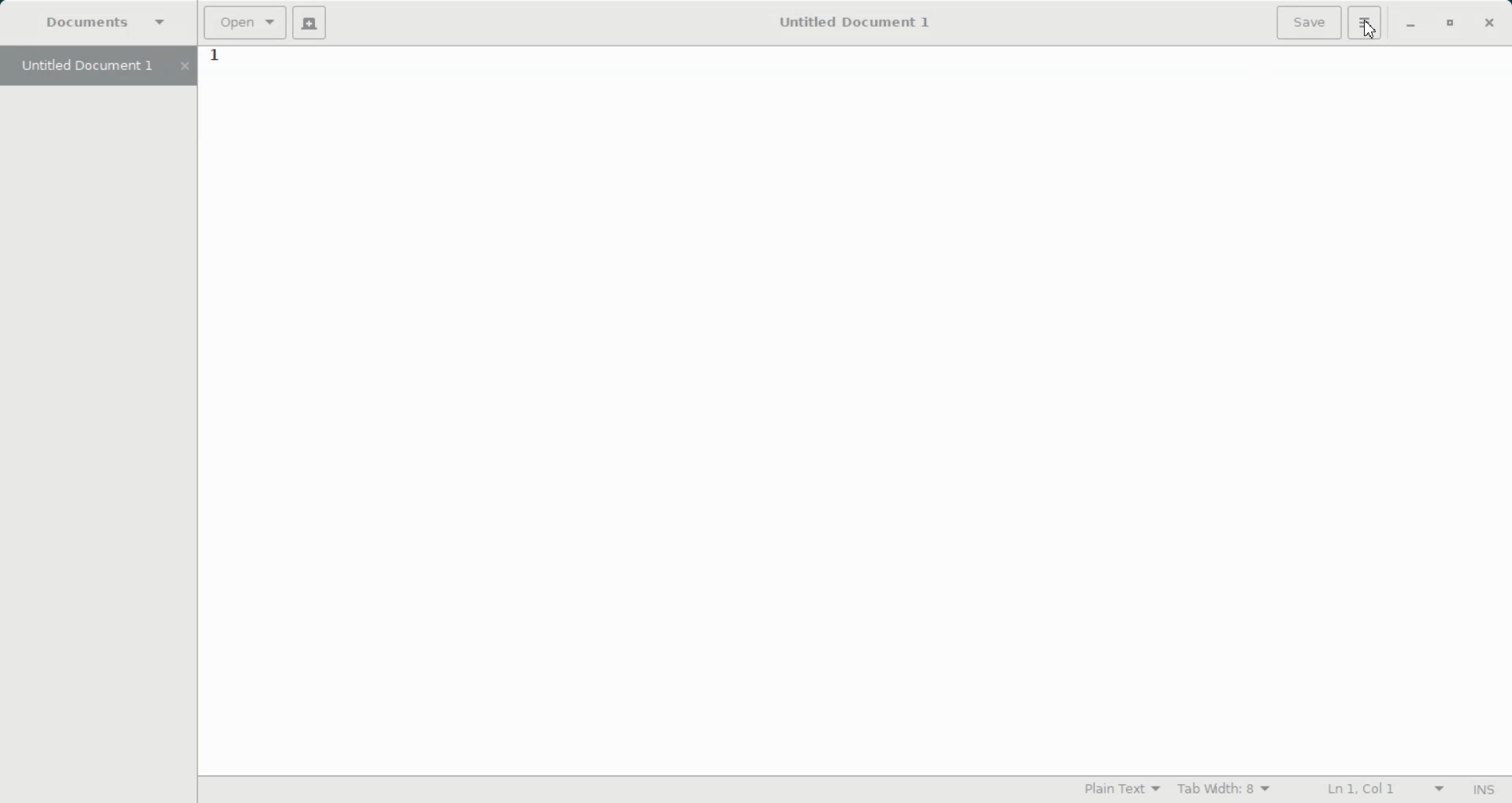 This screenshot has width=1512, height=803. What do you see at coordinates (1123, 788) in the screenshot?
I see `Highlighting Mode` at bounding box center [1123, 788].